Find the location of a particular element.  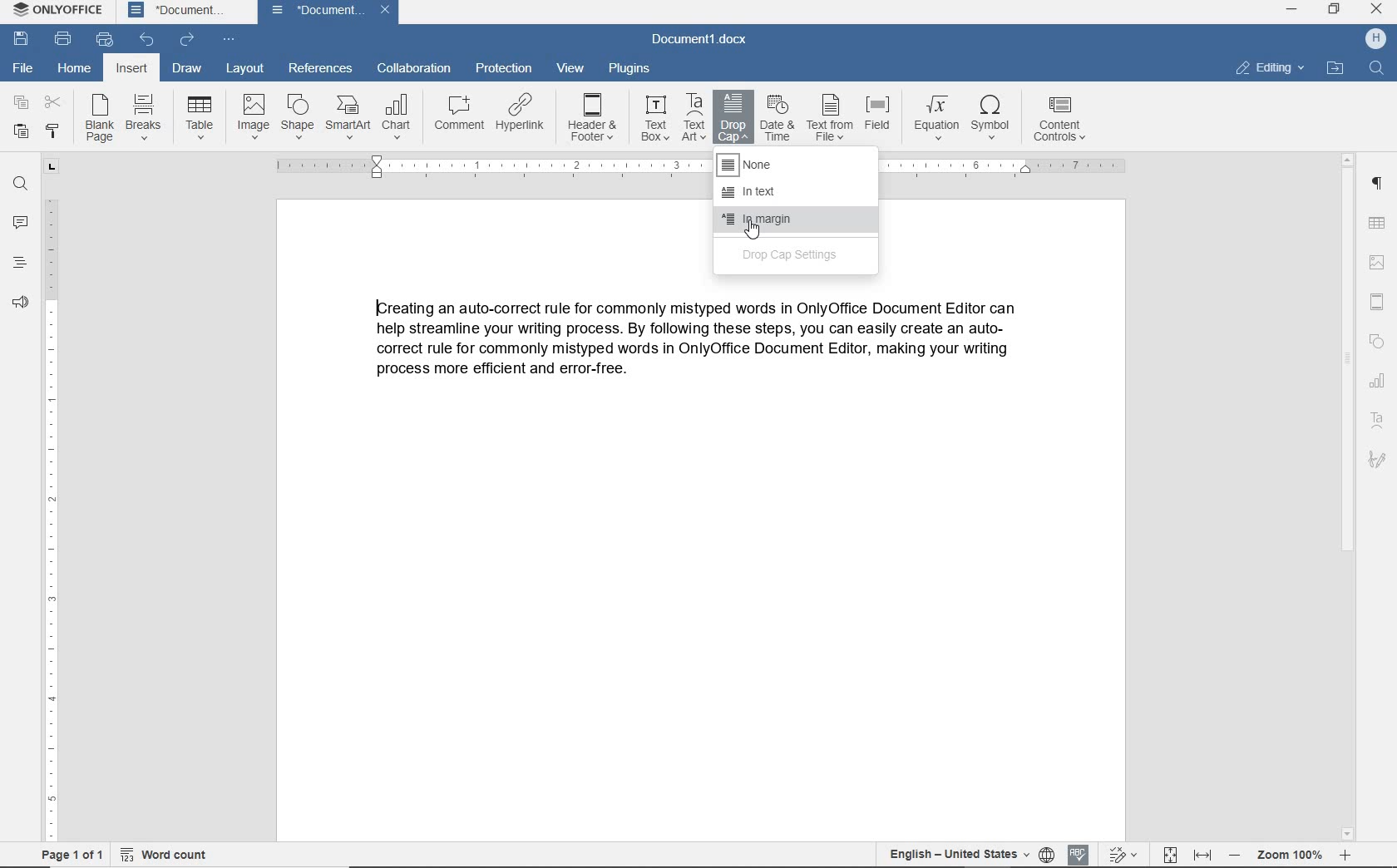

find is located at coordinates (20, 184).